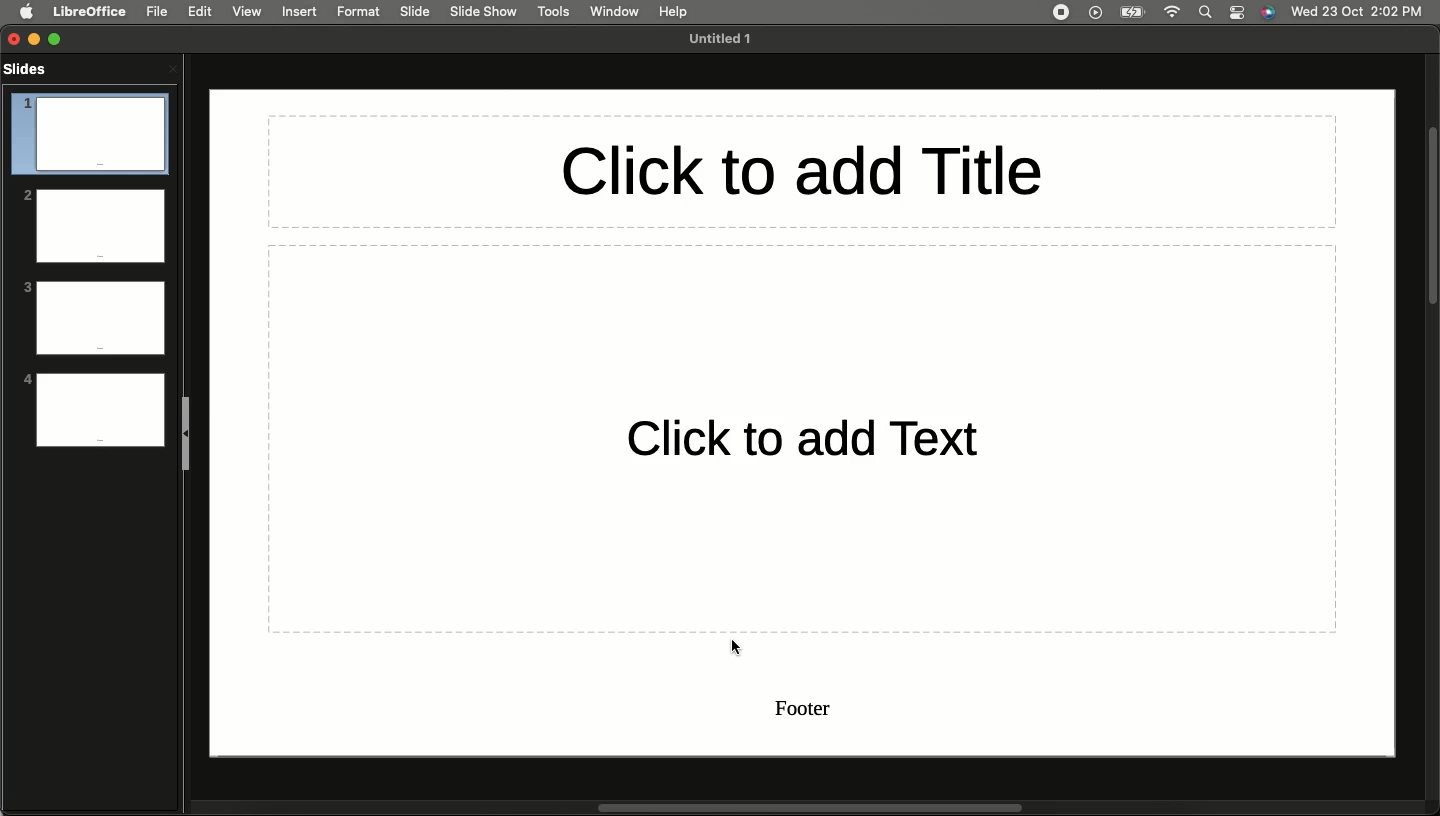 The height and width of the screenshot is (816, 1440). I want to click on Cursor, so click(736, 652).